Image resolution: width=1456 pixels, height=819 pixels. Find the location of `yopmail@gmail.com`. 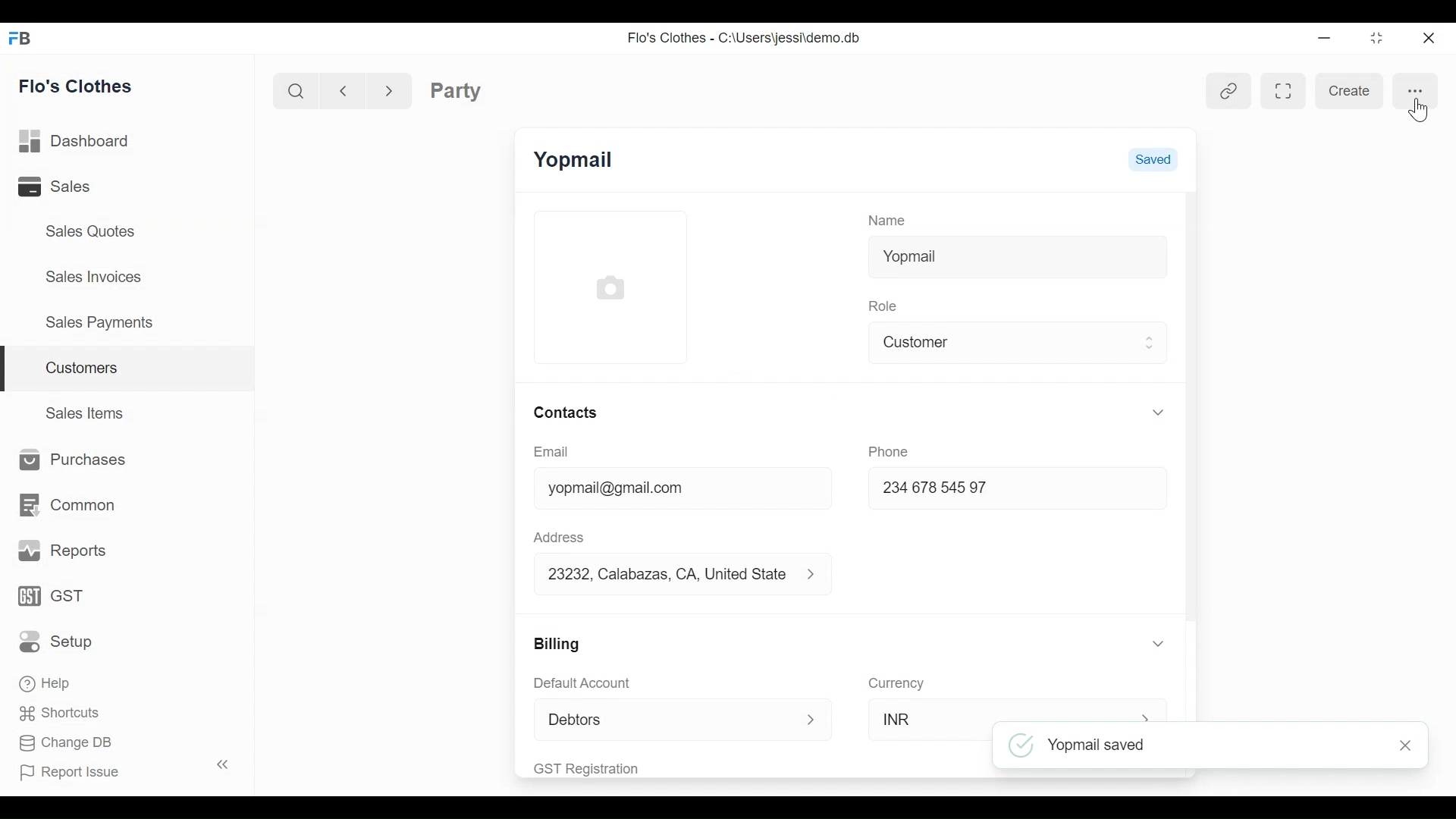

yopmail@gmail.com is located at coordinates (660, 488).